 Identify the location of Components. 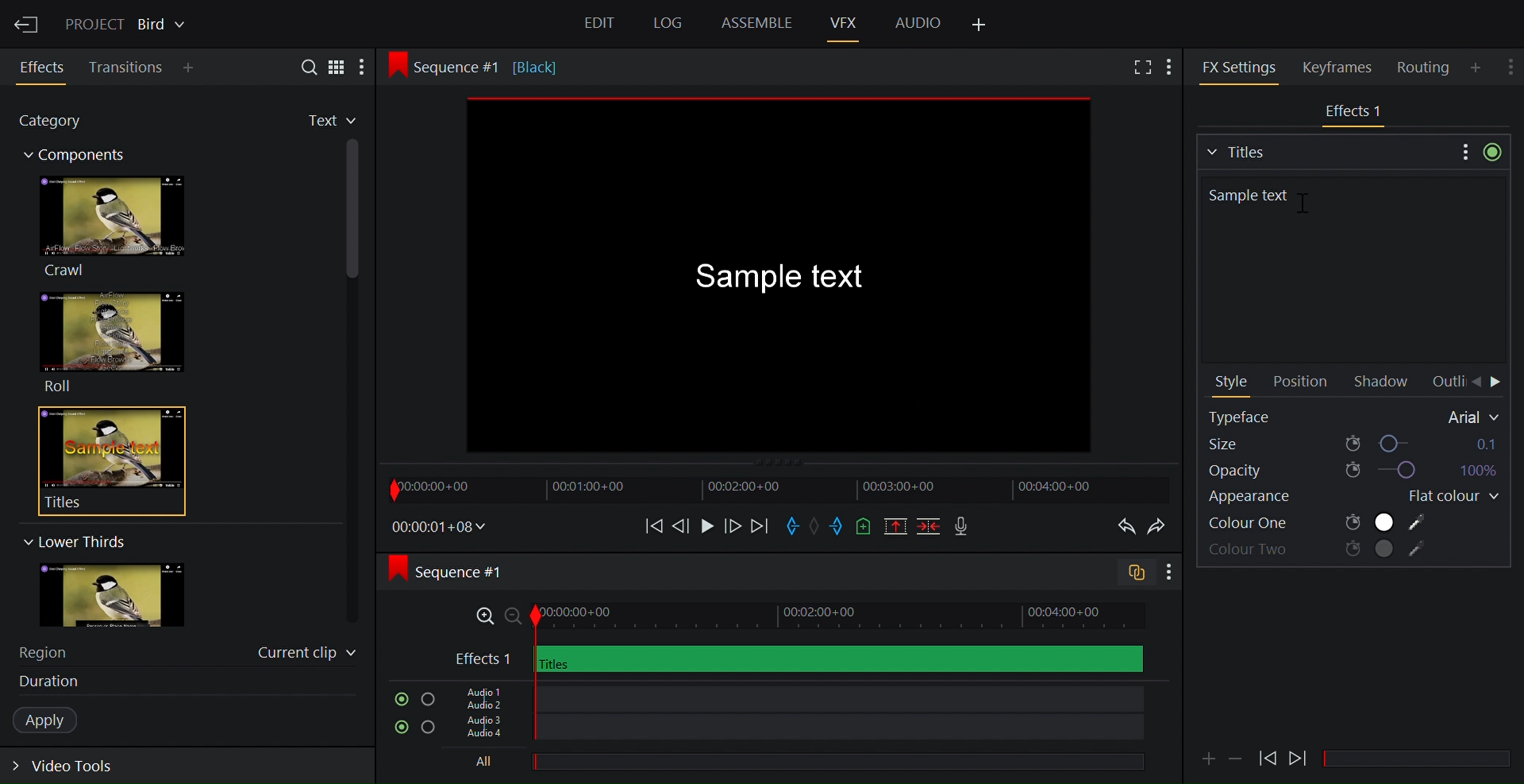
(82, 157).